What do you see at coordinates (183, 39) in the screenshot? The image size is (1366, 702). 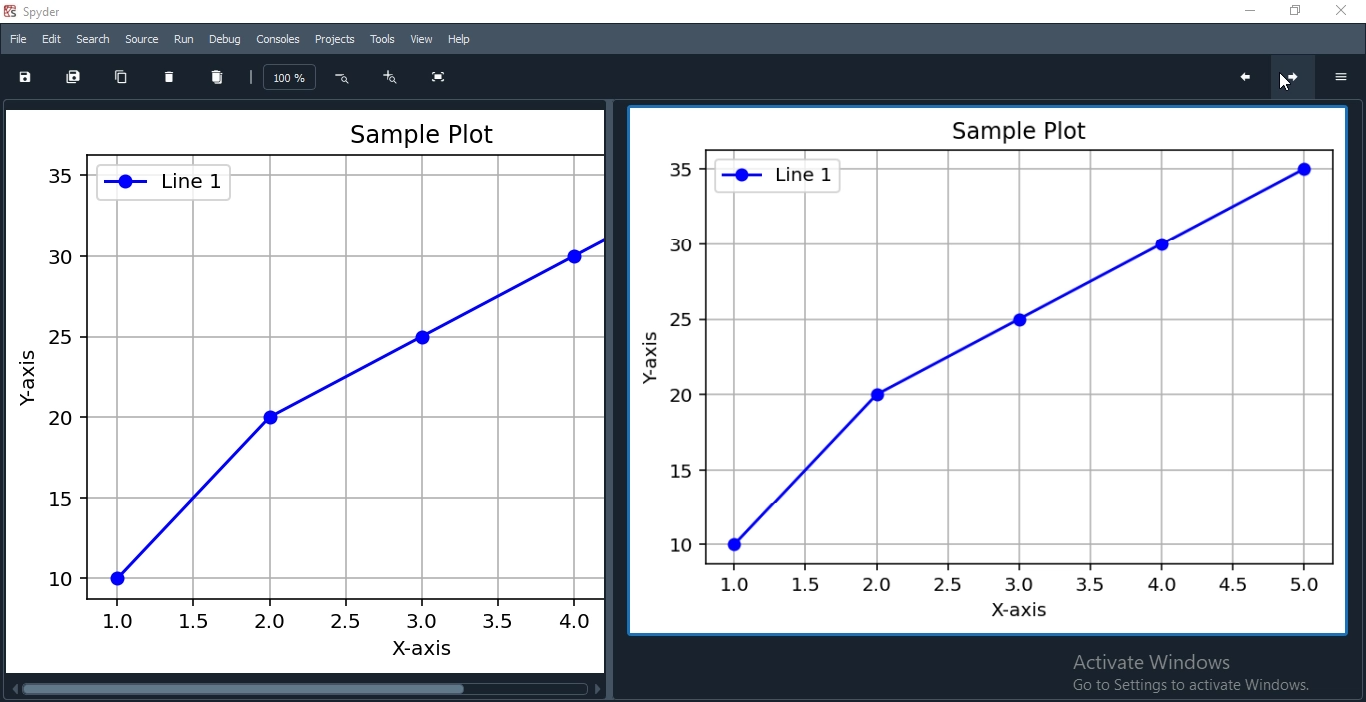 I see `Run` at bounding box center [183, 39].